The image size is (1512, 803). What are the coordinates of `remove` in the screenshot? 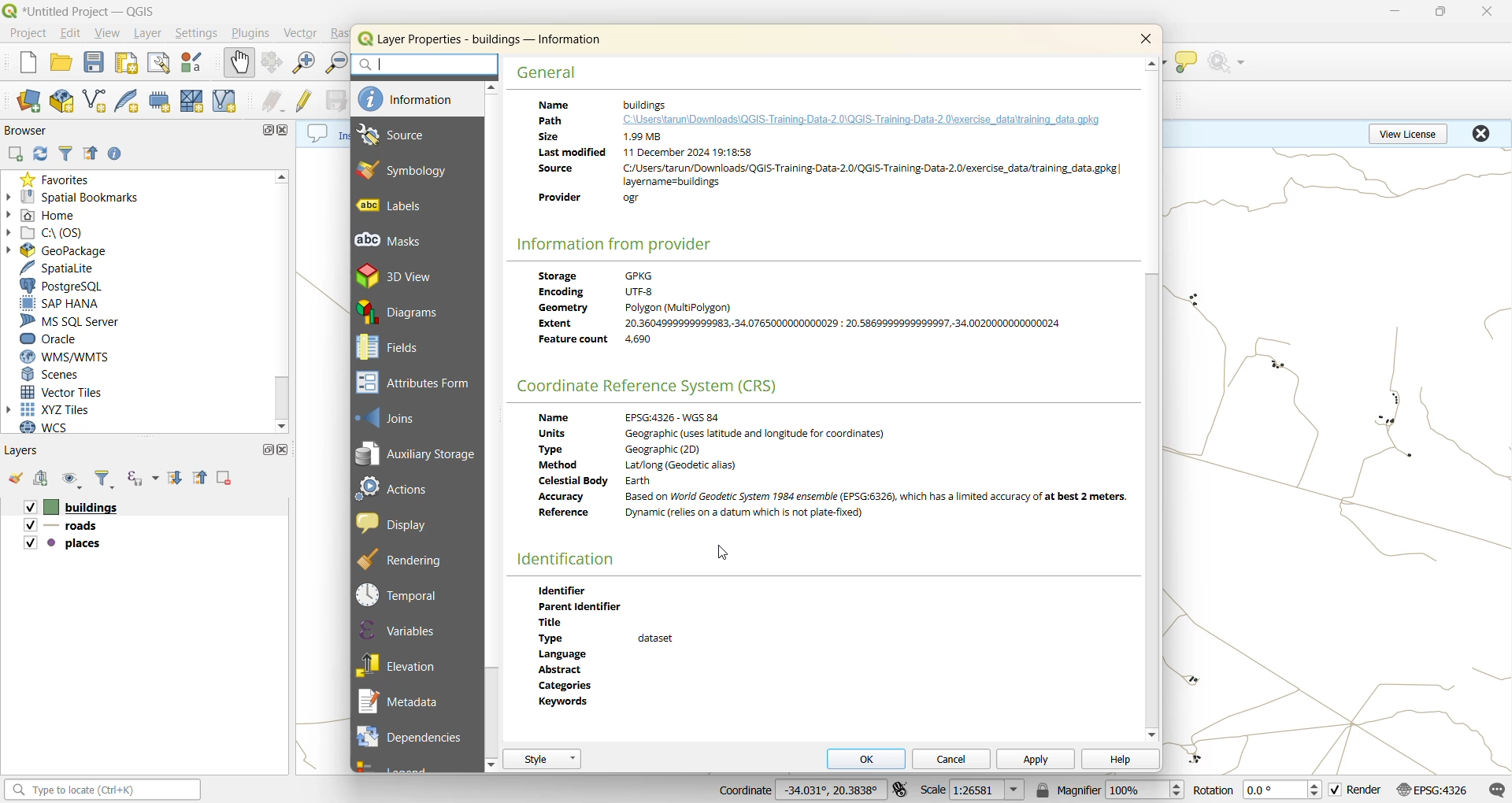 It's located at (229, 479).